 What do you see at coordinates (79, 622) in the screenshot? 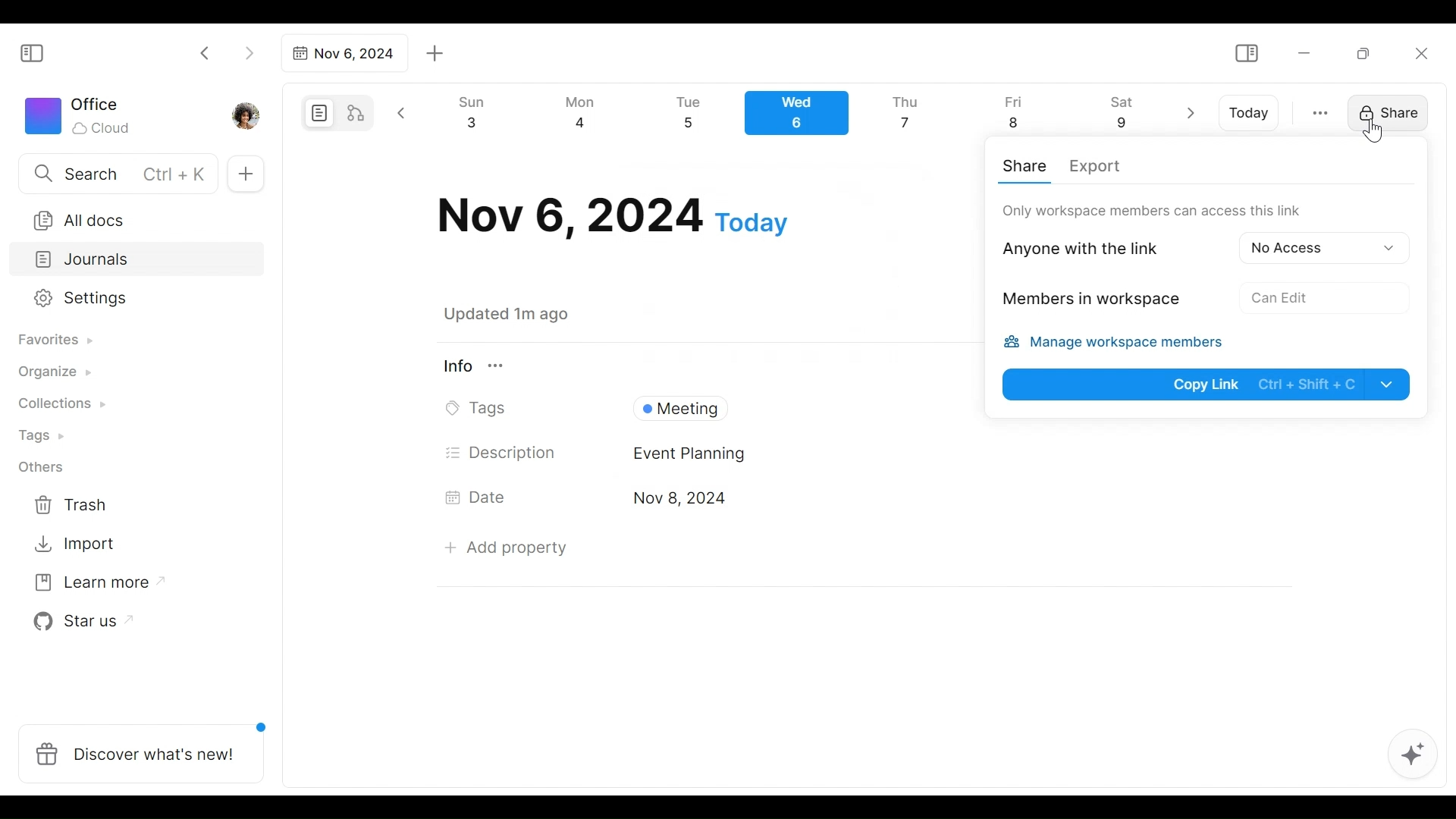
I see `Star us` at bounding box center [79, 622].